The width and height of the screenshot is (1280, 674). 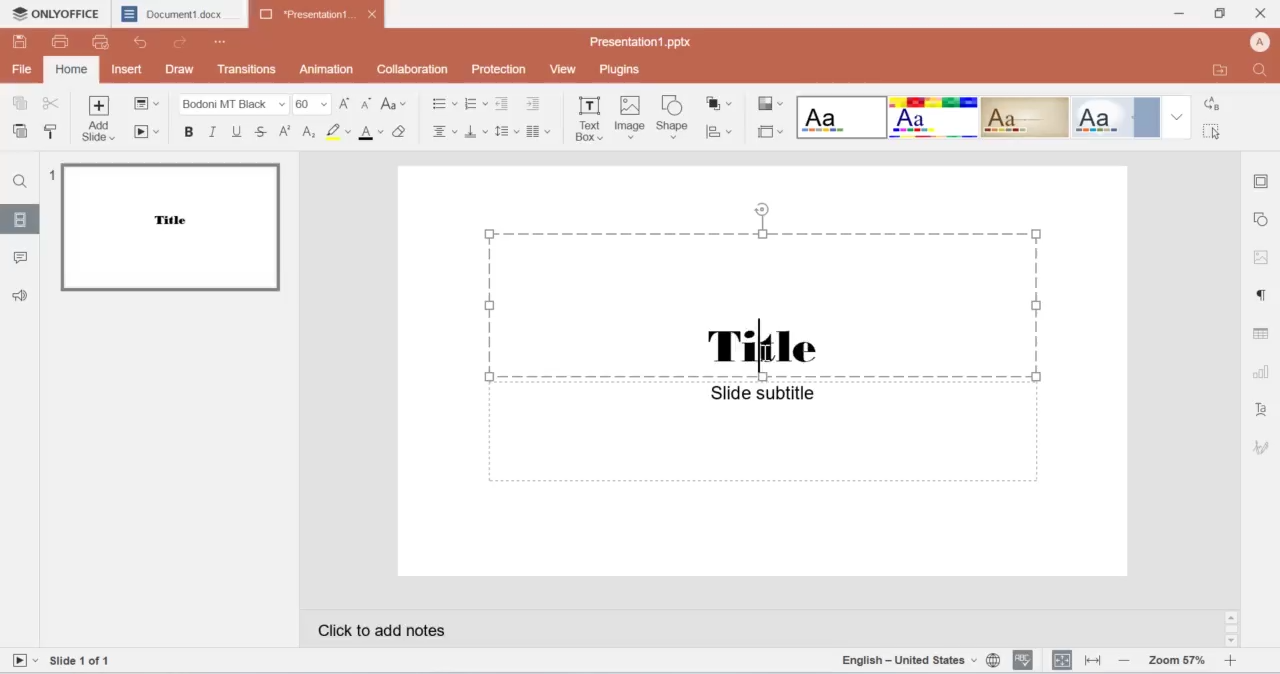 What do you see at coordinates (1262, 179) in the screenshot?
I see `border` at bounding box center [1262, 179].